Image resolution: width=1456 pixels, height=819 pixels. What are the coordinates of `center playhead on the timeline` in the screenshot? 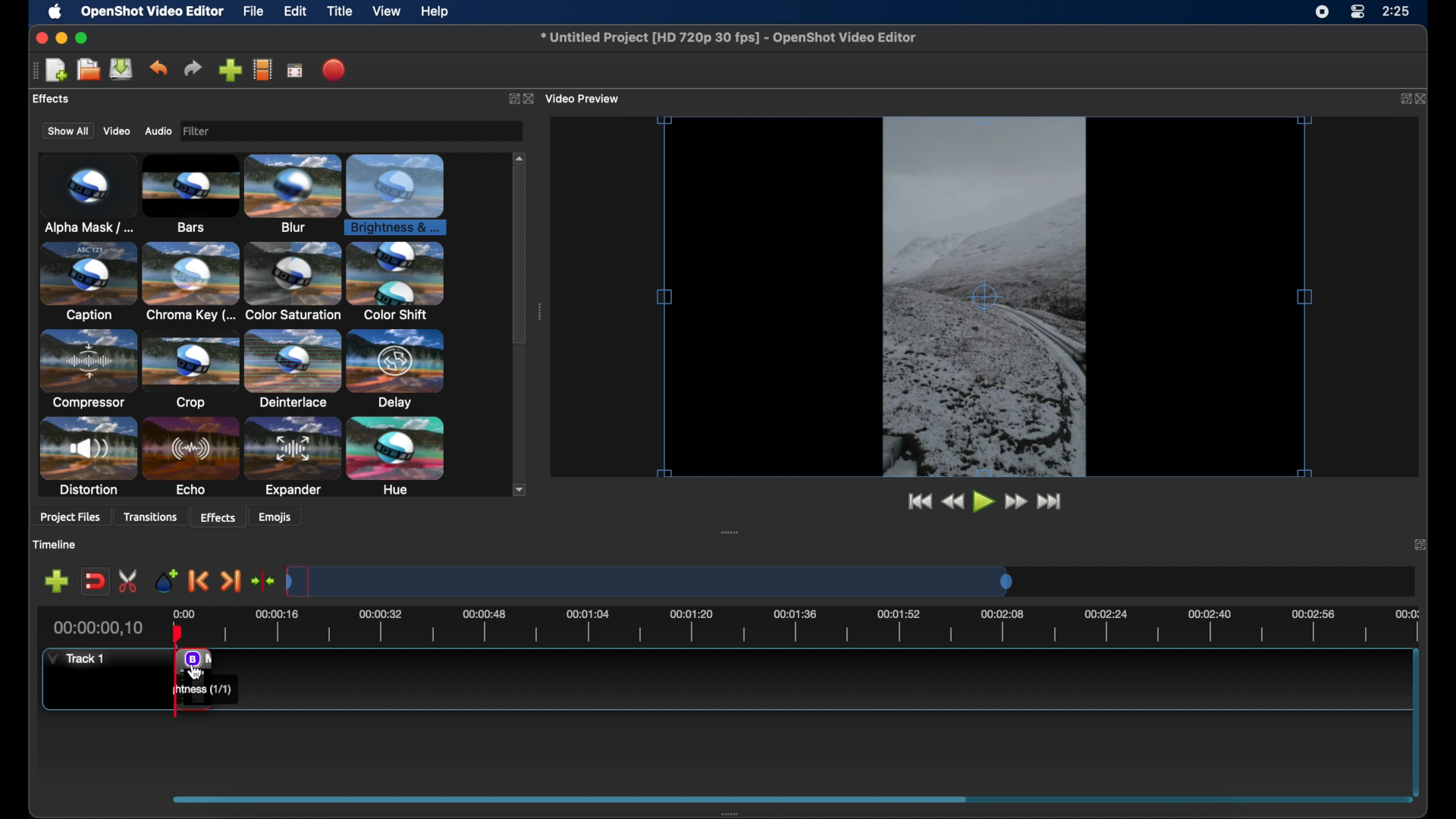 It's located at (264, 580).